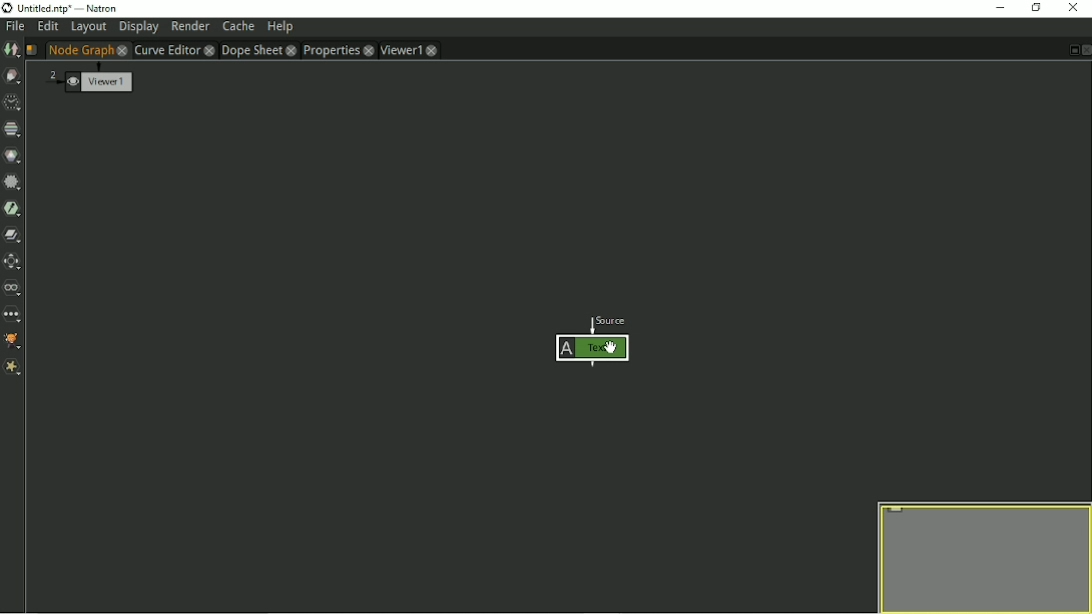 This screenshot has width=1092, height=614. What do you see at coordinates (13, 183) in the screenshot?
I see `Filter` at bounding box center [13, 183].